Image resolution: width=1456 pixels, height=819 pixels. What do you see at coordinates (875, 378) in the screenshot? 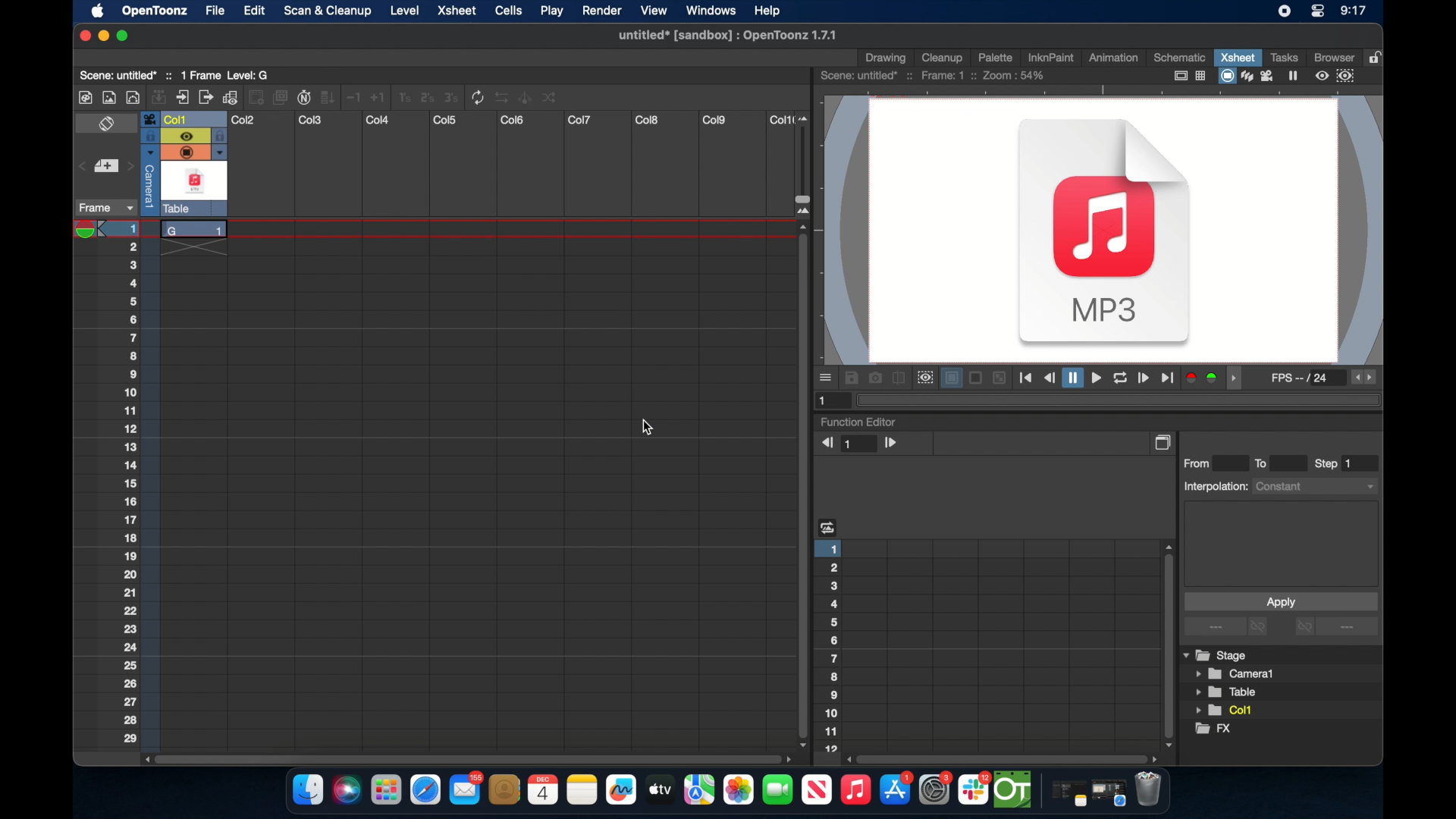
I see `snapshot` at bounding box center [875, 378].